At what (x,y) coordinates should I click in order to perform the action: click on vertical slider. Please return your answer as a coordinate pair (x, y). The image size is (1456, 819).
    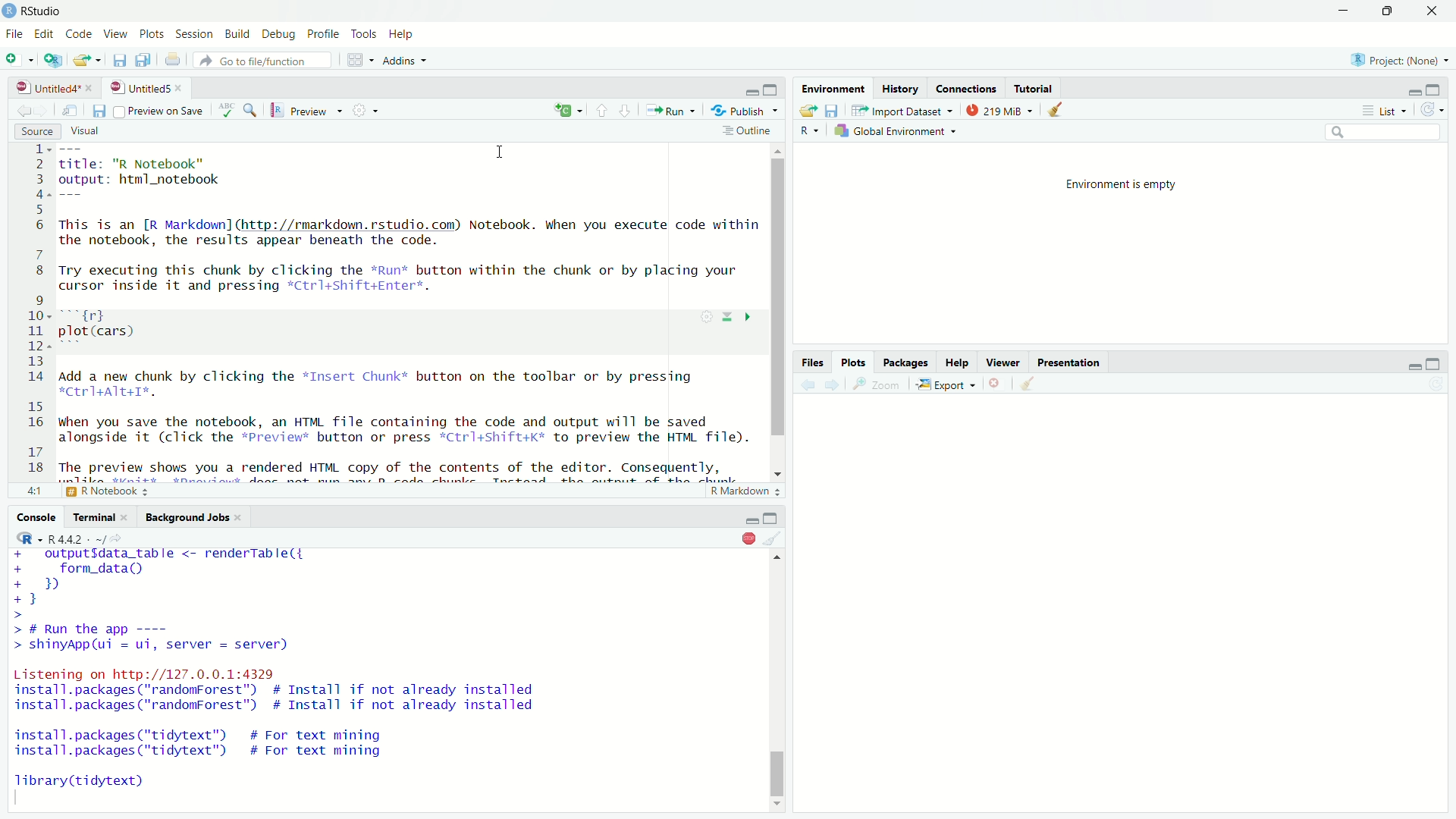
    Looking at the image, I should click on (780, 304).